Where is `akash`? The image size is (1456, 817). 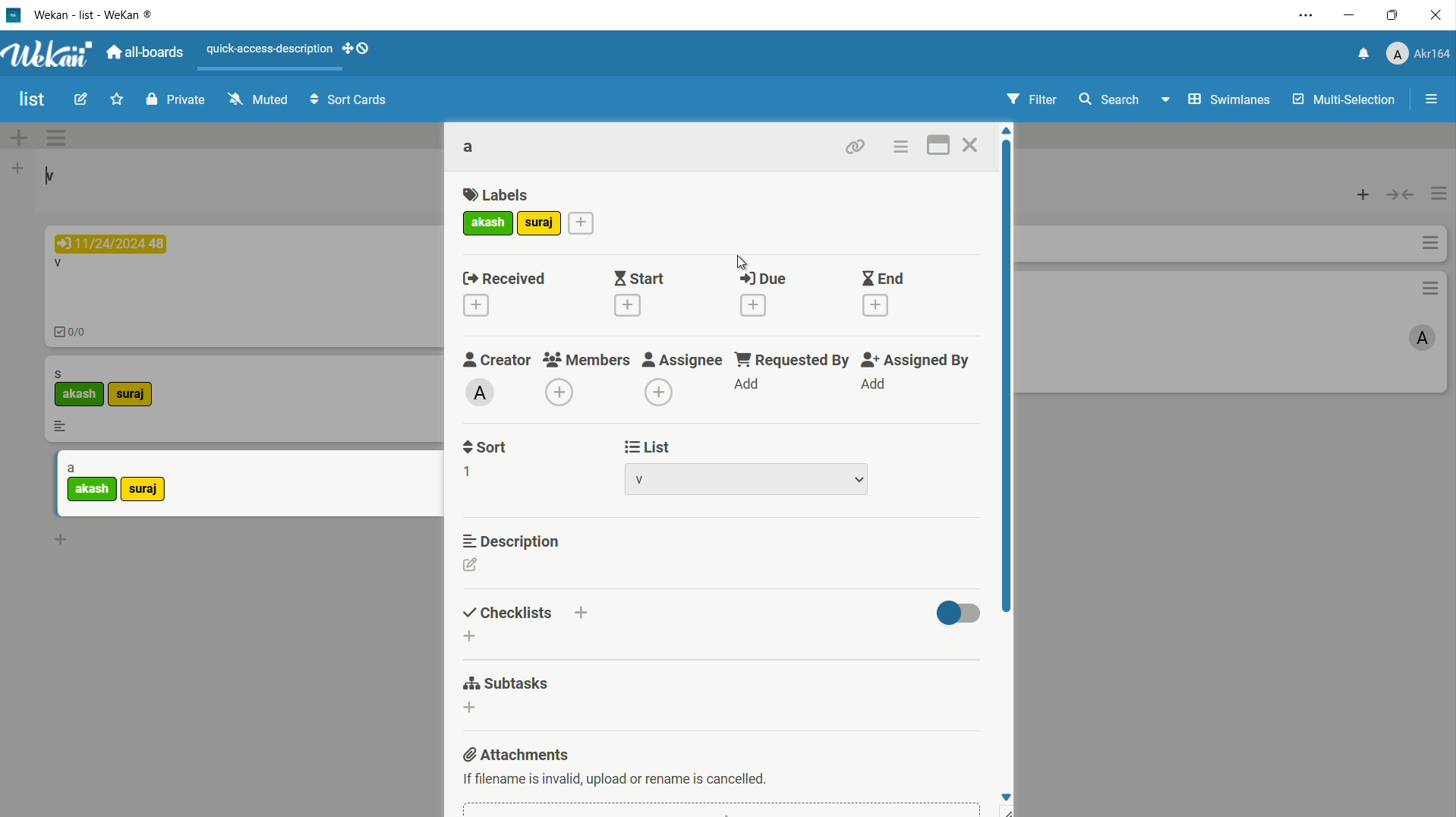 akash is located at coordinates (487, 225).